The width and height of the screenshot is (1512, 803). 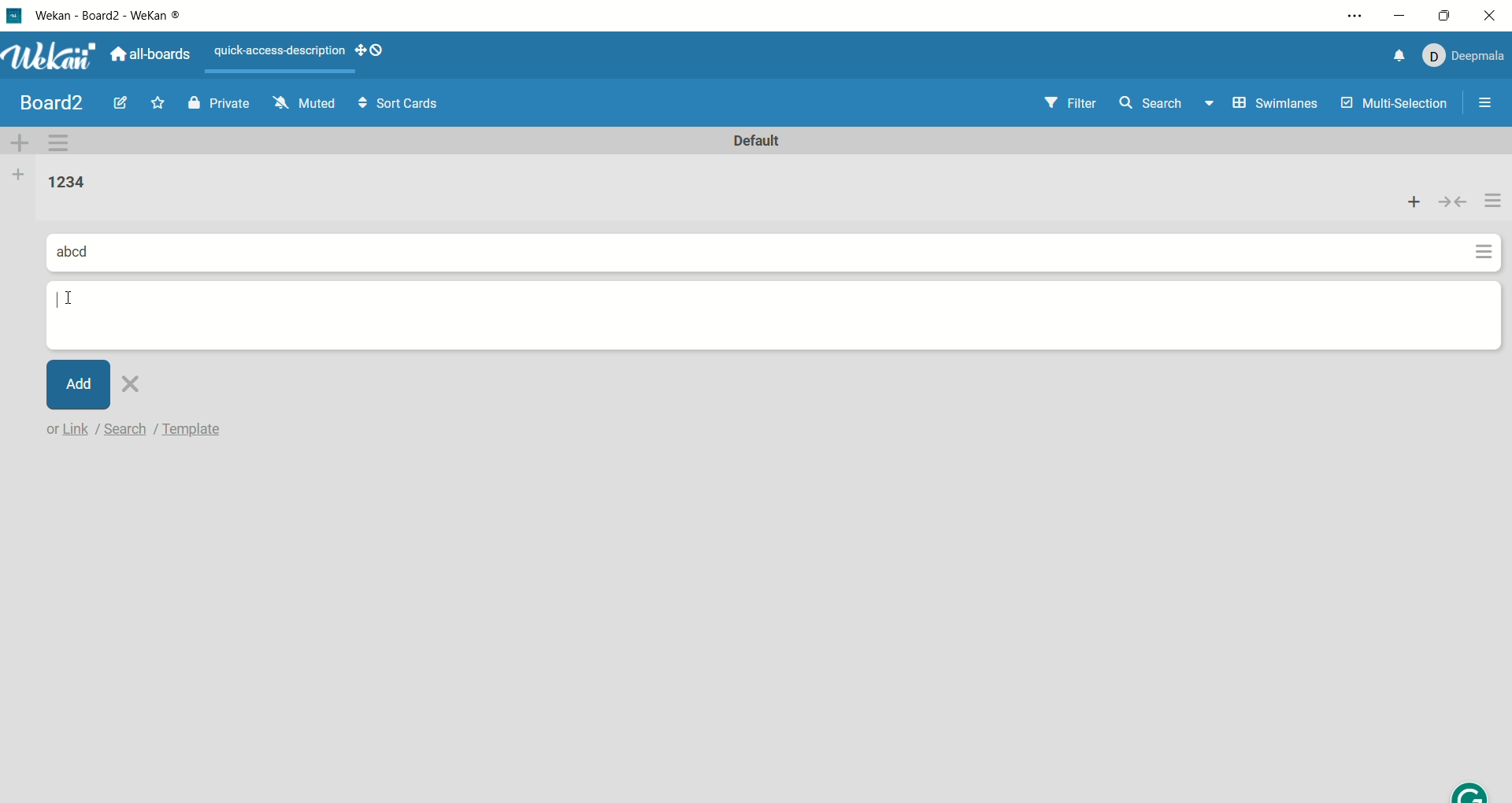 What do you see at coordinates (1488, 107) in the screenshot?
I see `open/close sidebar` at bounding box center [1488, 107].